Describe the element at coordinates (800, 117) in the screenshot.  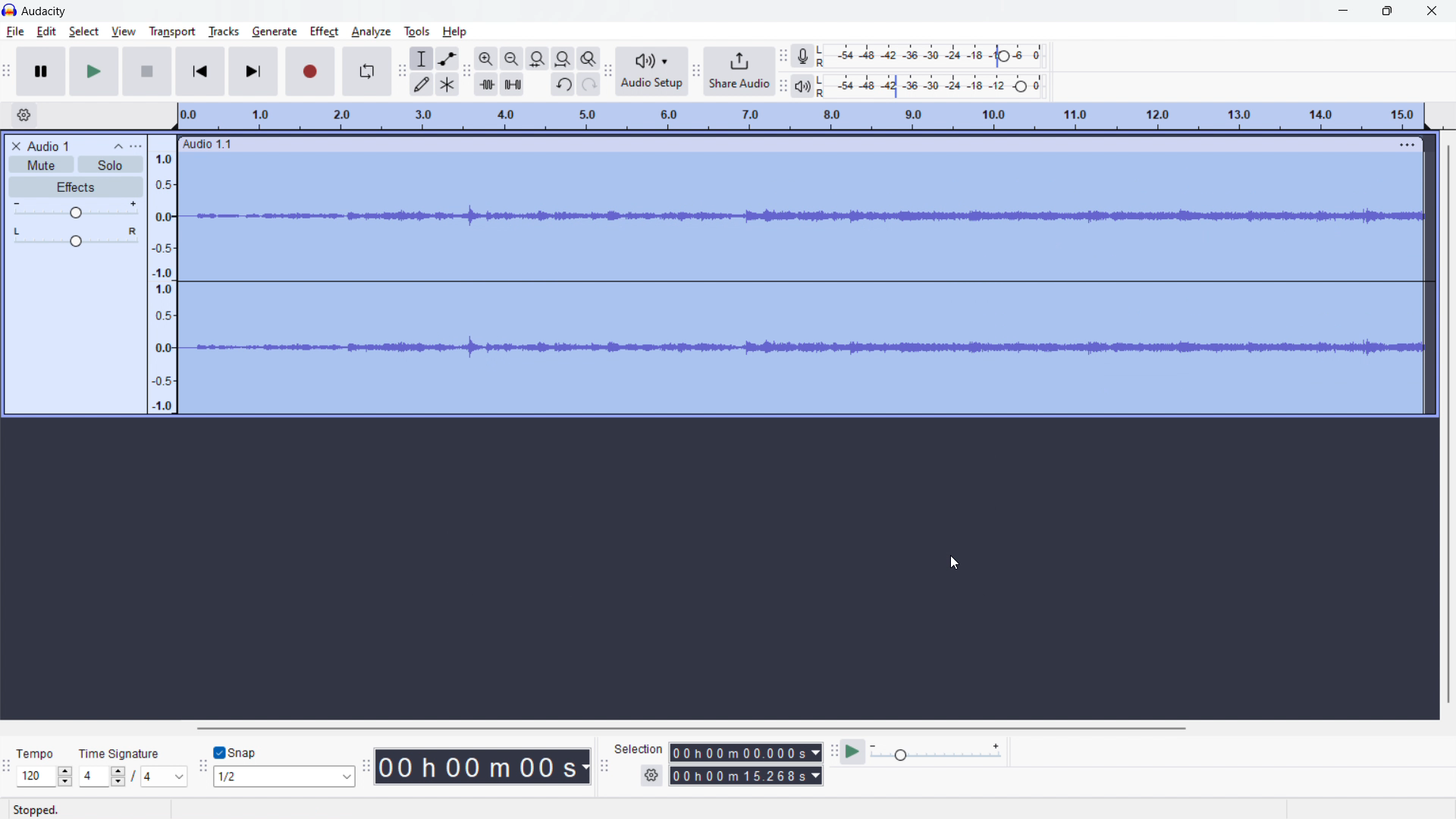
I see `timeline` at that location.